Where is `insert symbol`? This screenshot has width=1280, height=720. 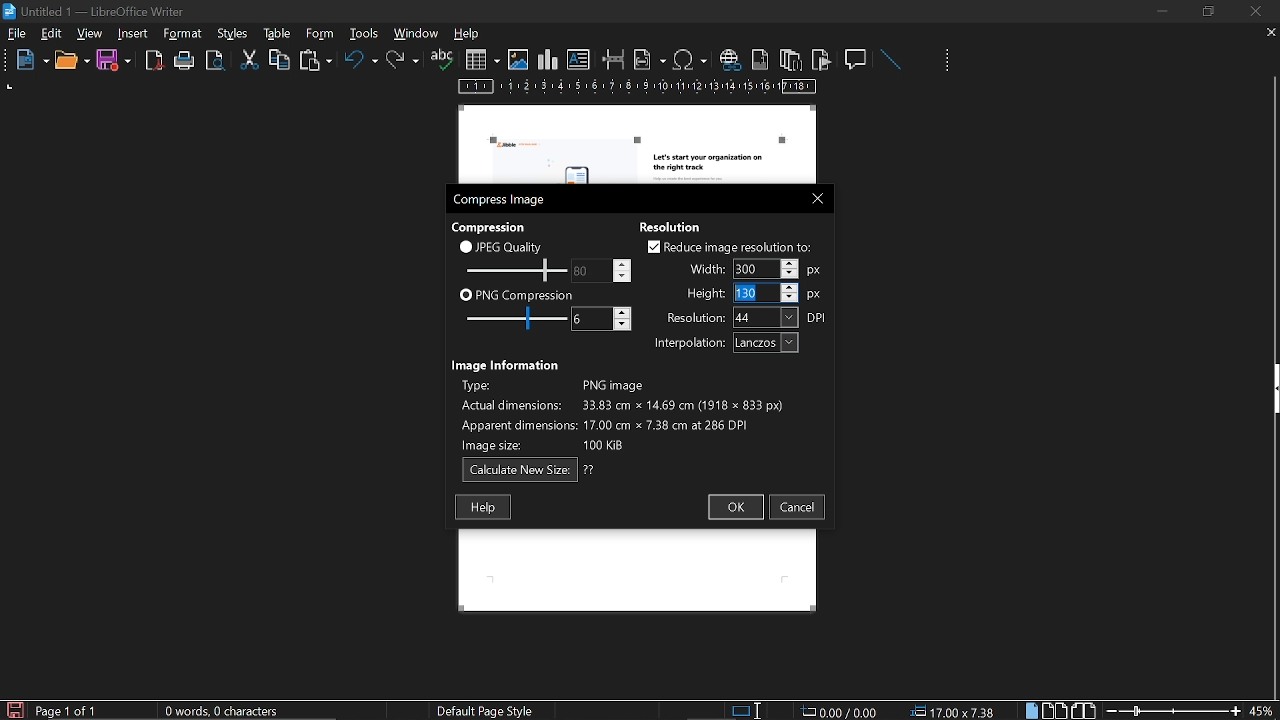
insert symbol is located at coordinates (690, 59).